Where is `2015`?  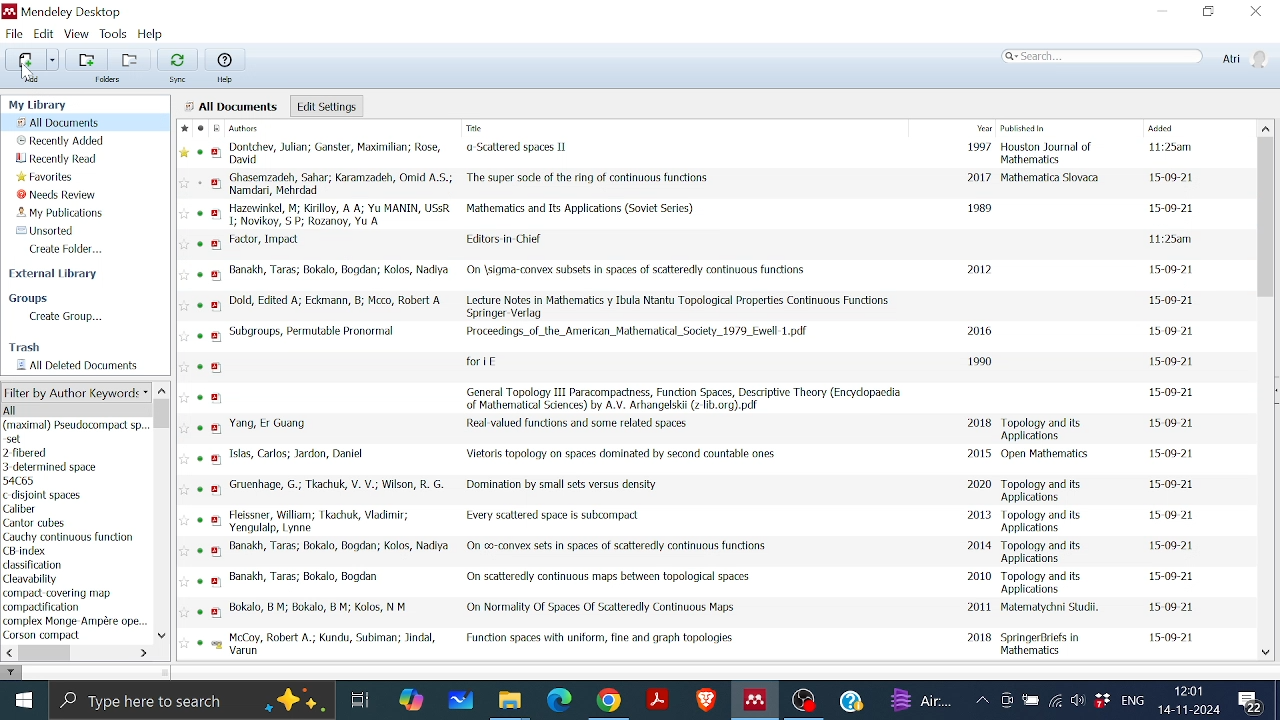
2015 is located at coordinates (976, 453).